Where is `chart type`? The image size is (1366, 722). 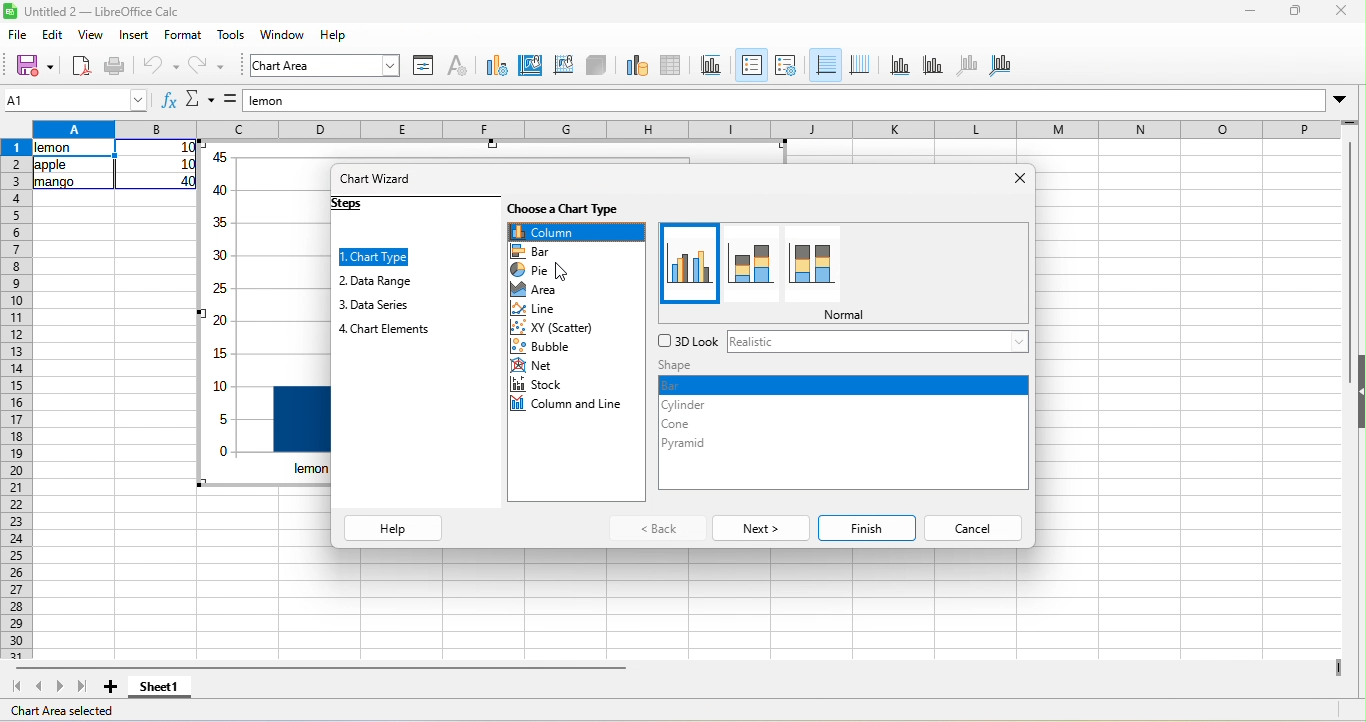
chart type is located at coordinates (497, 64).